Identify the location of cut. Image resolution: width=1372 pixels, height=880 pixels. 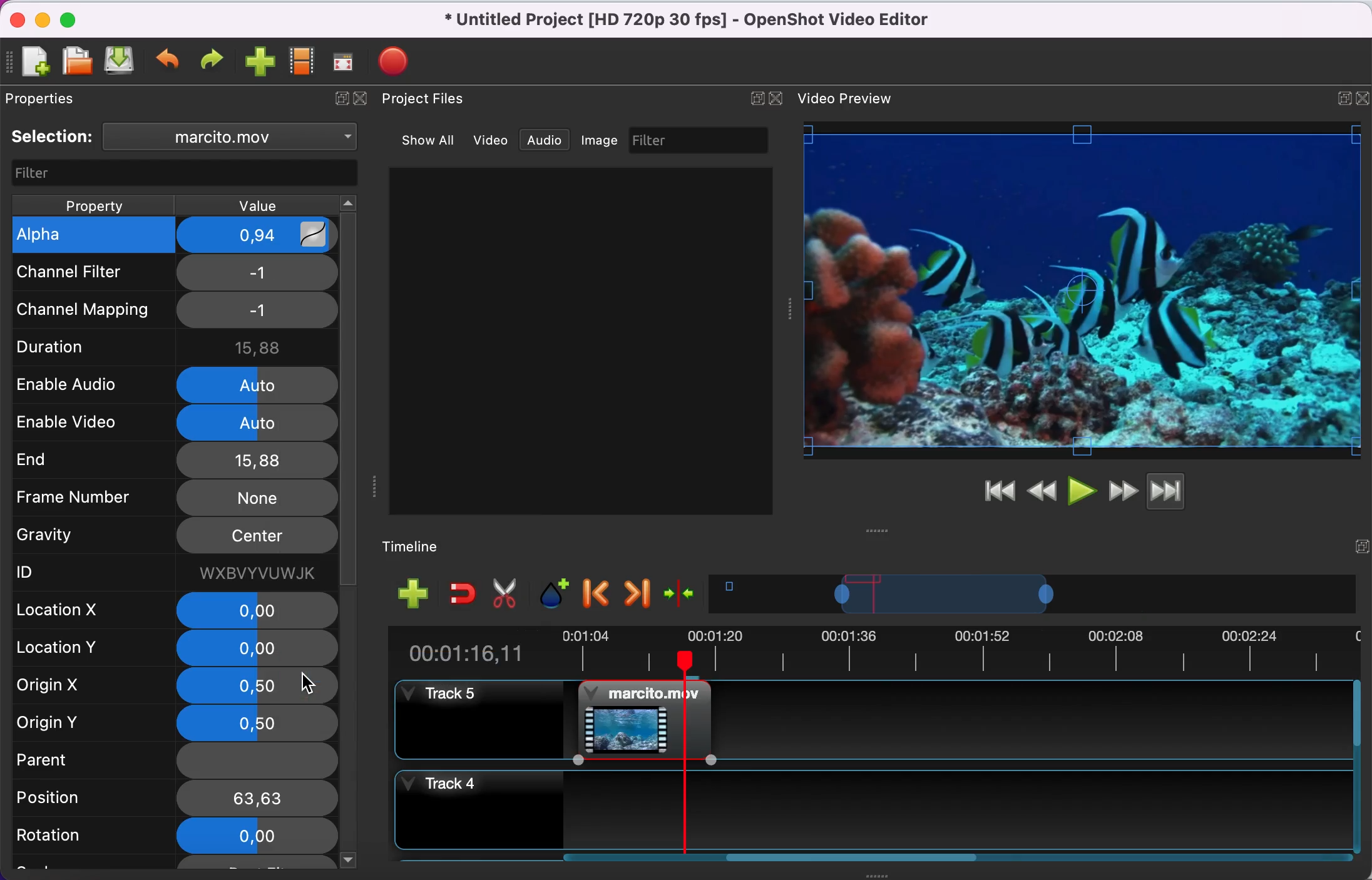
(509, 595).